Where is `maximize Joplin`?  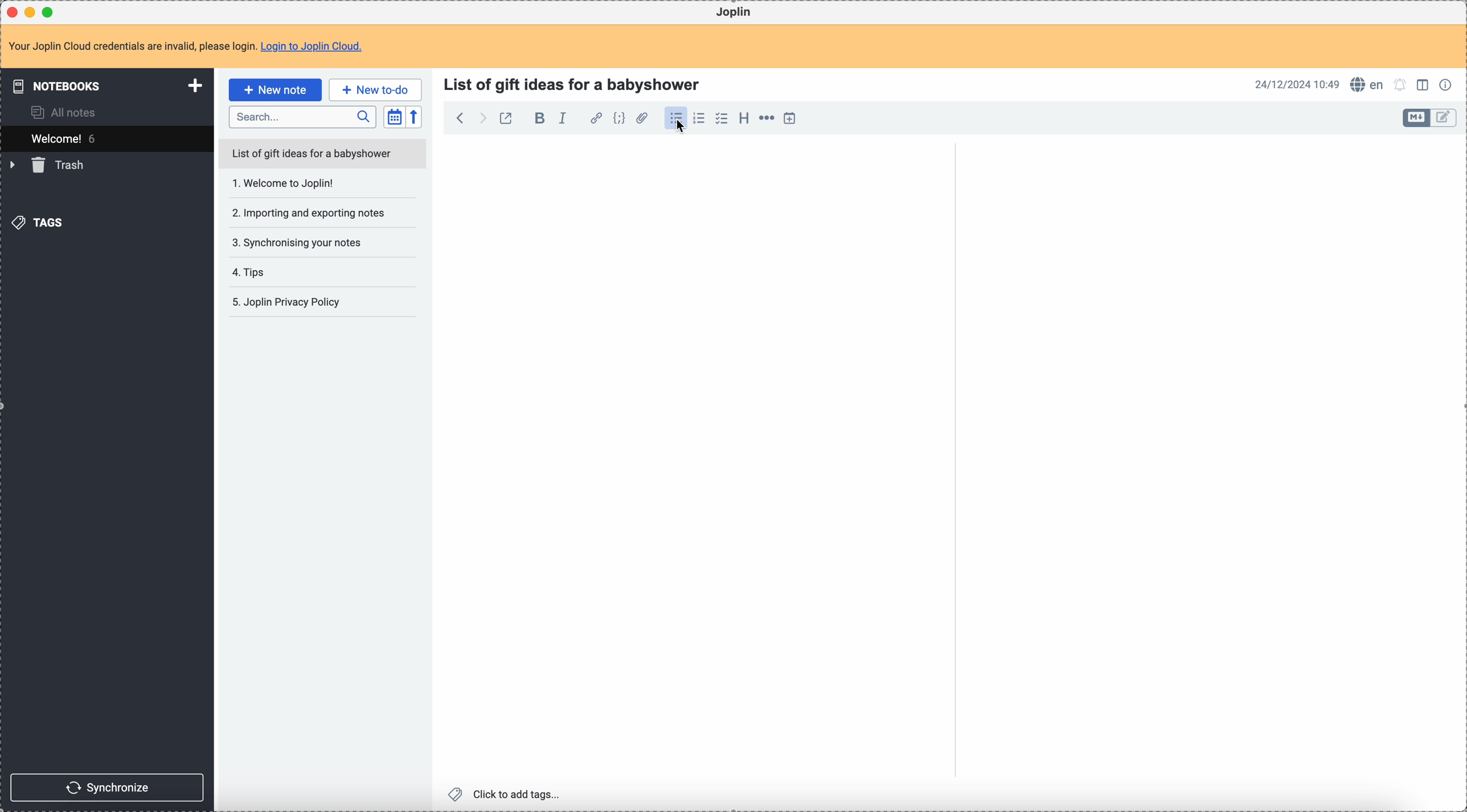 maximize Joplin is located at coordinates (51, 11).